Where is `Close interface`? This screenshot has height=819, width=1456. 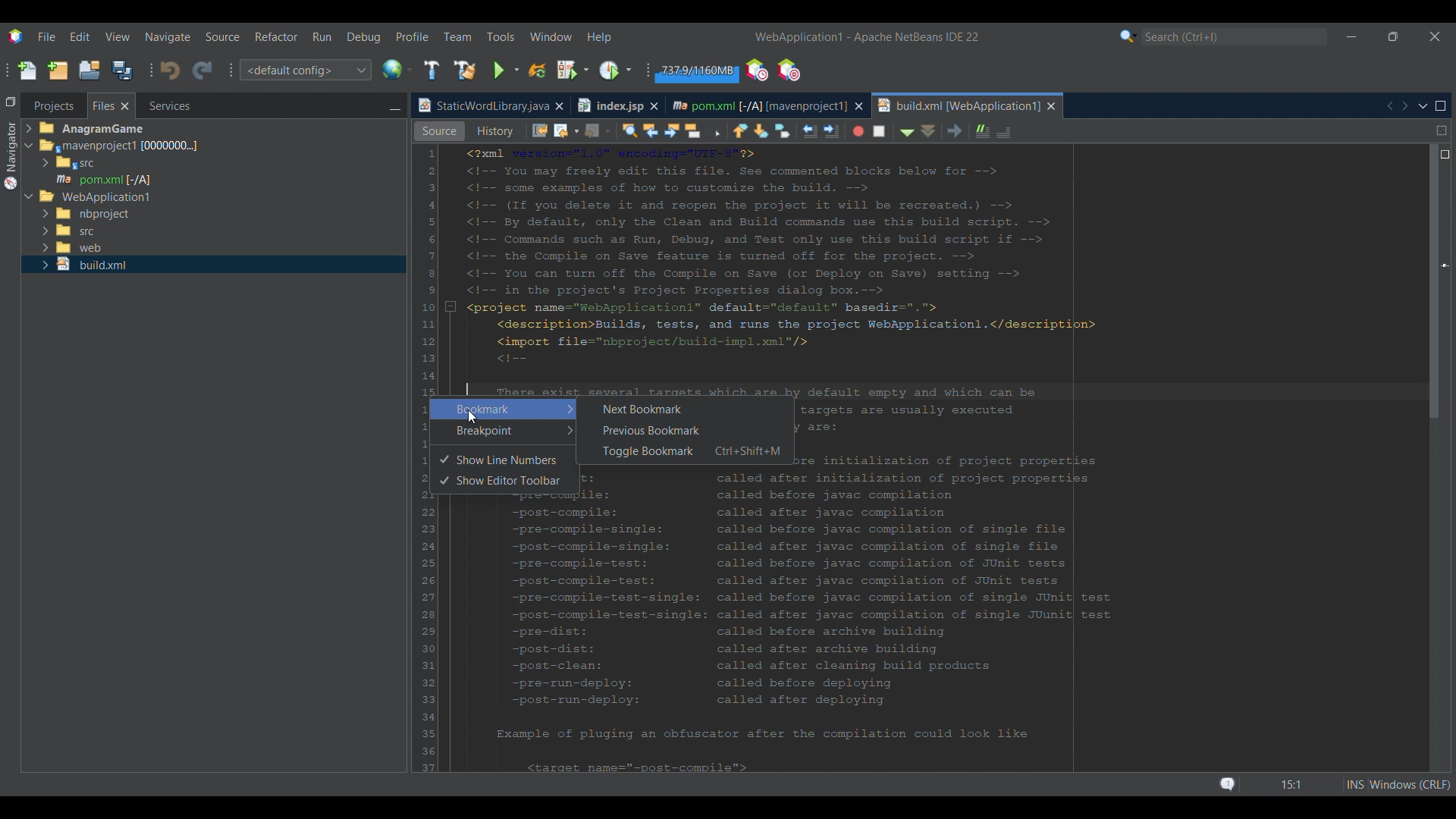
Close interface is located at coordinates (1436, 36).